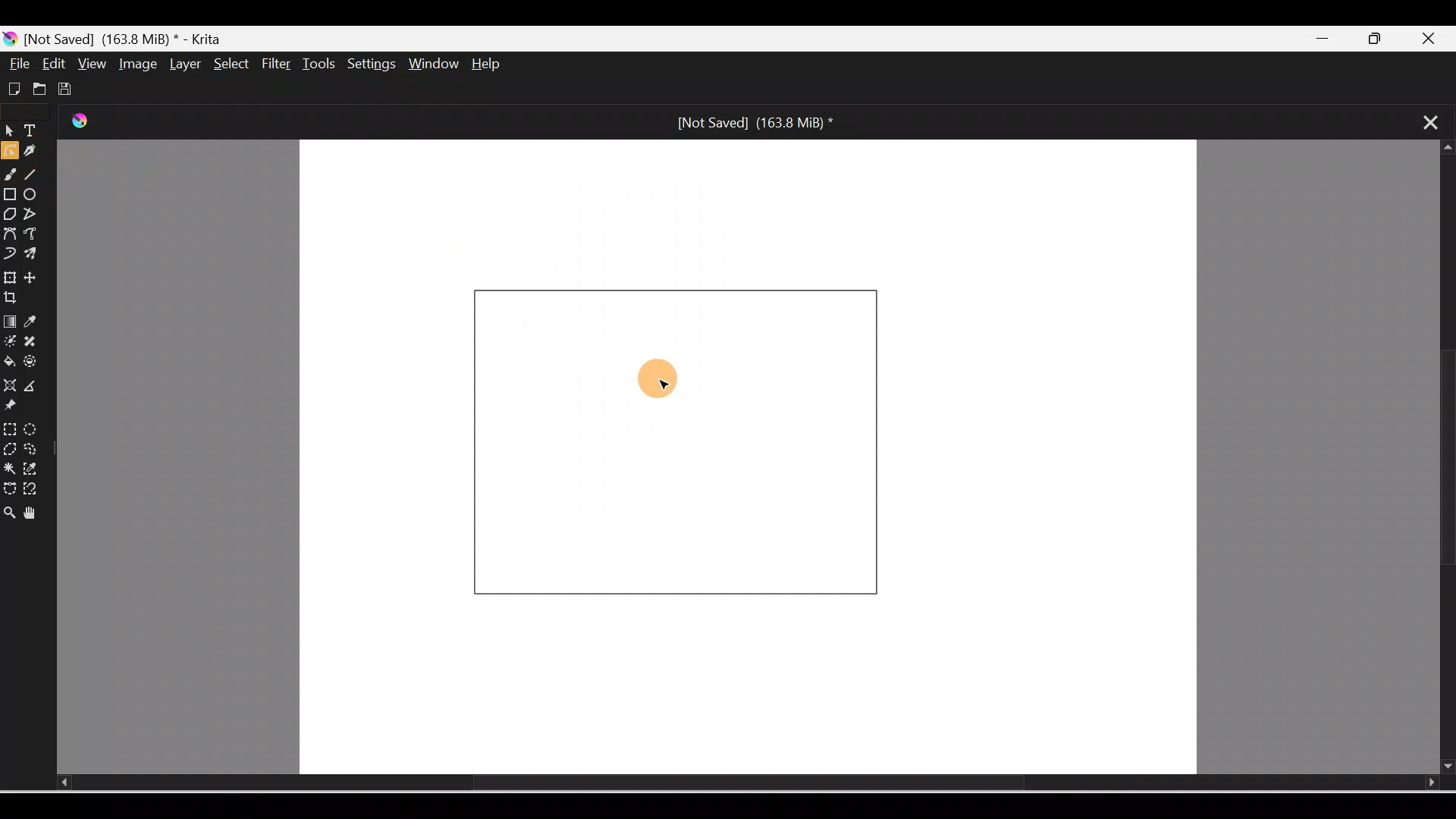 Image resolution: width=1456 pixels, height=819 pixels. What do you see at coordinates (9, 467) in the screenshot?
I see `Contiguous selection tool` at bounding box center [9, 467].